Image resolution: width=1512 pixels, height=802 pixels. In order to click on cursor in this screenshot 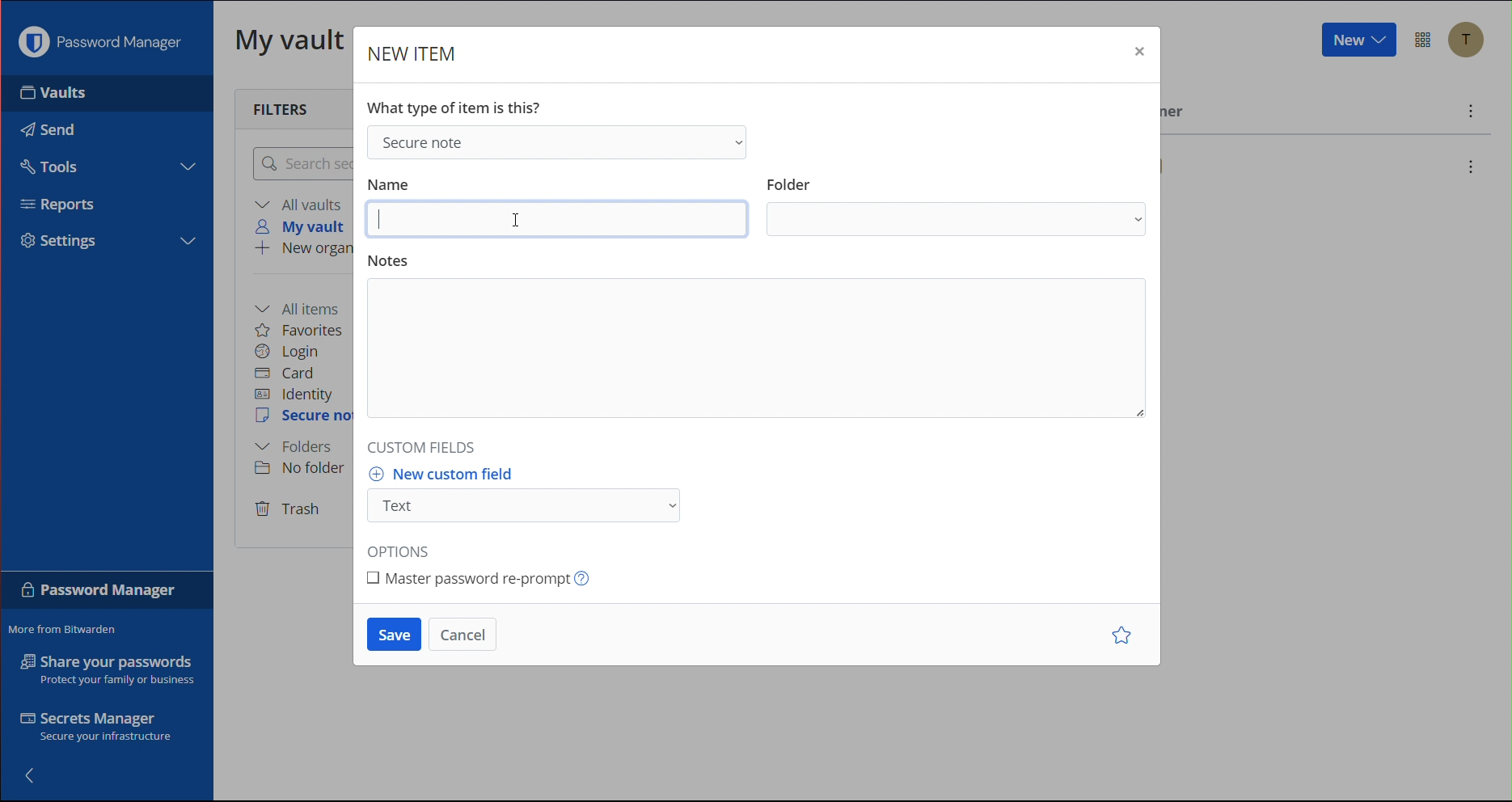, I will do `click(514, 218)`.